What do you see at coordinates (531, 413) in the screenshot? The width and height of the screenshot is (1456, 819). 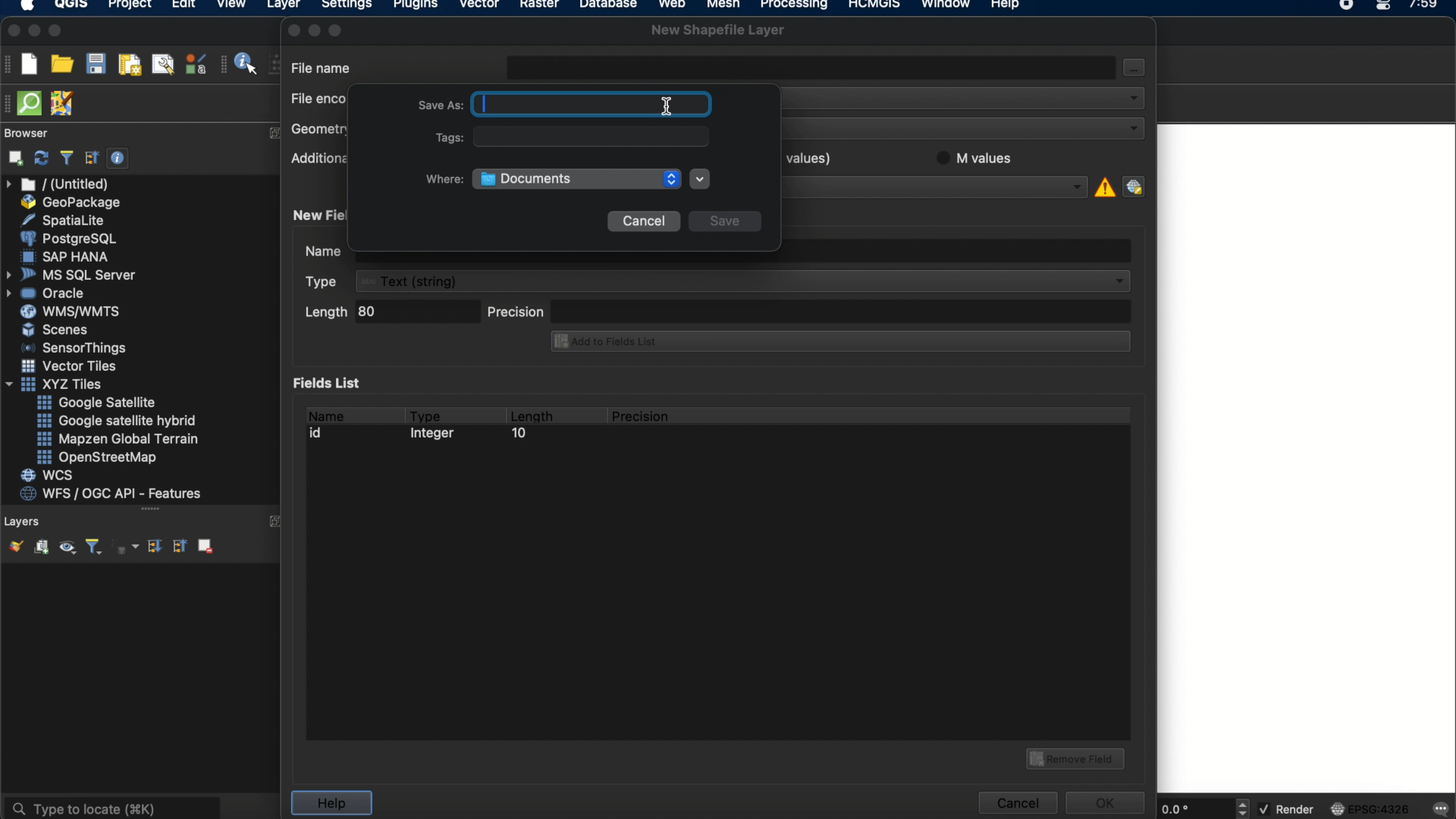 I see `length` at bounding box center [531, 413].